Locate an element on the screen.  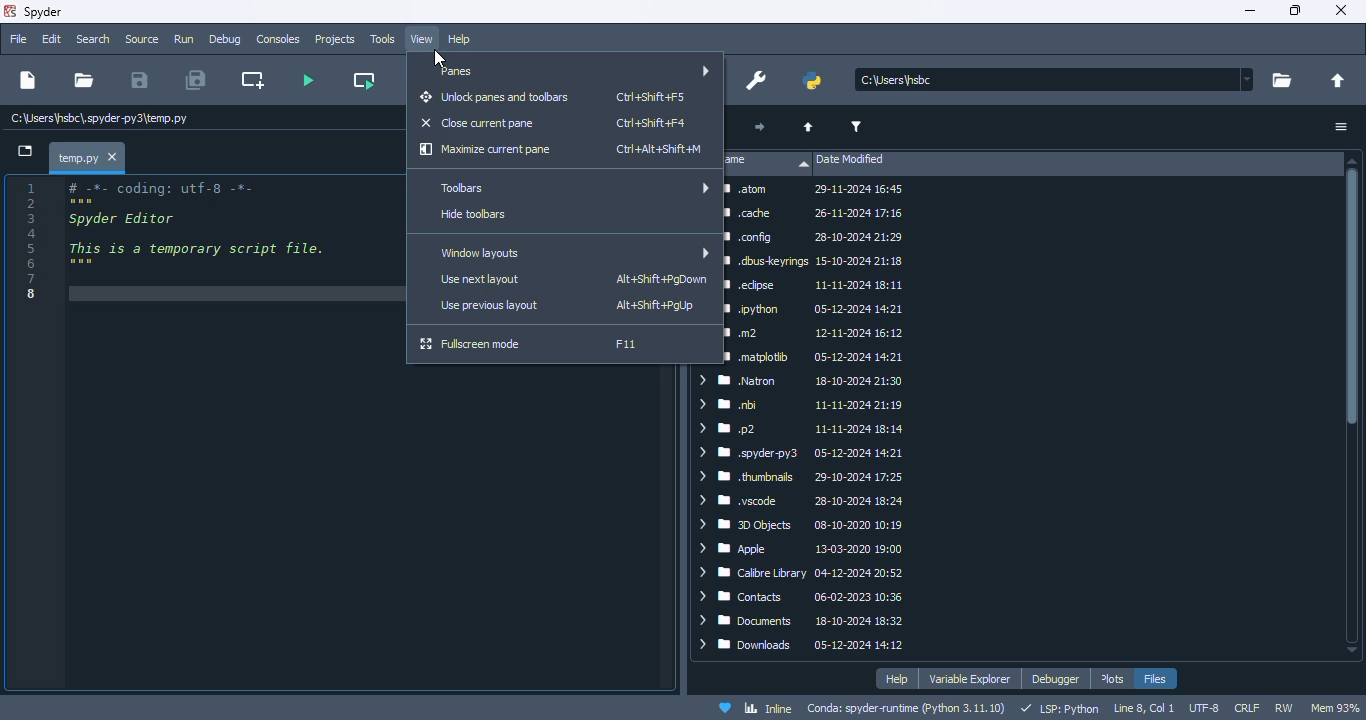
3D Objects is located at coordinates (811, 525).